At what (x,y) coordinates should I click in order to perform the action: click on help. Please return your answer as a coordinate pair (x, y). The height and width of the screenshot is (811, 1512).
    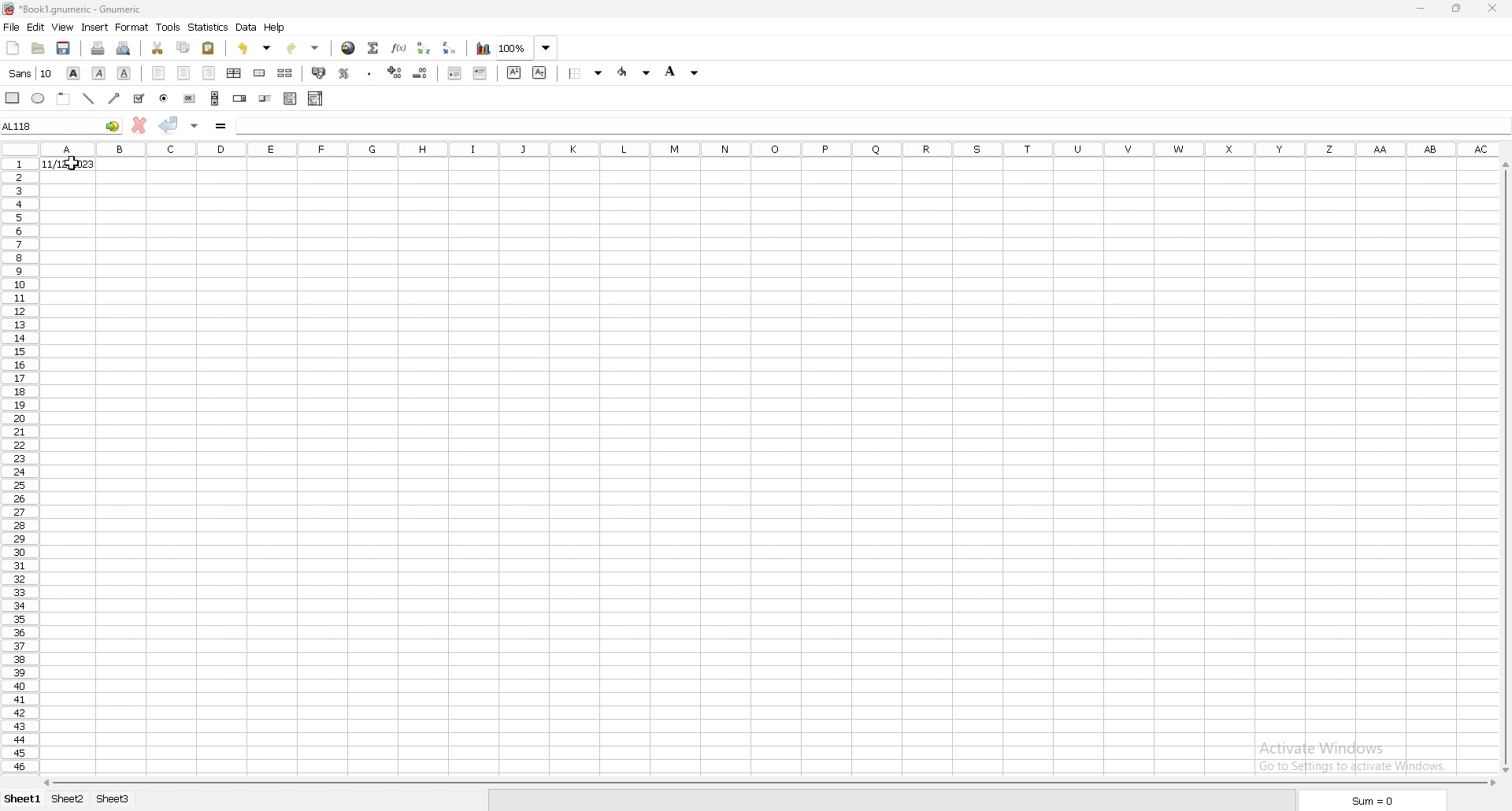
    Looking at the image, I should click on (276, 28).